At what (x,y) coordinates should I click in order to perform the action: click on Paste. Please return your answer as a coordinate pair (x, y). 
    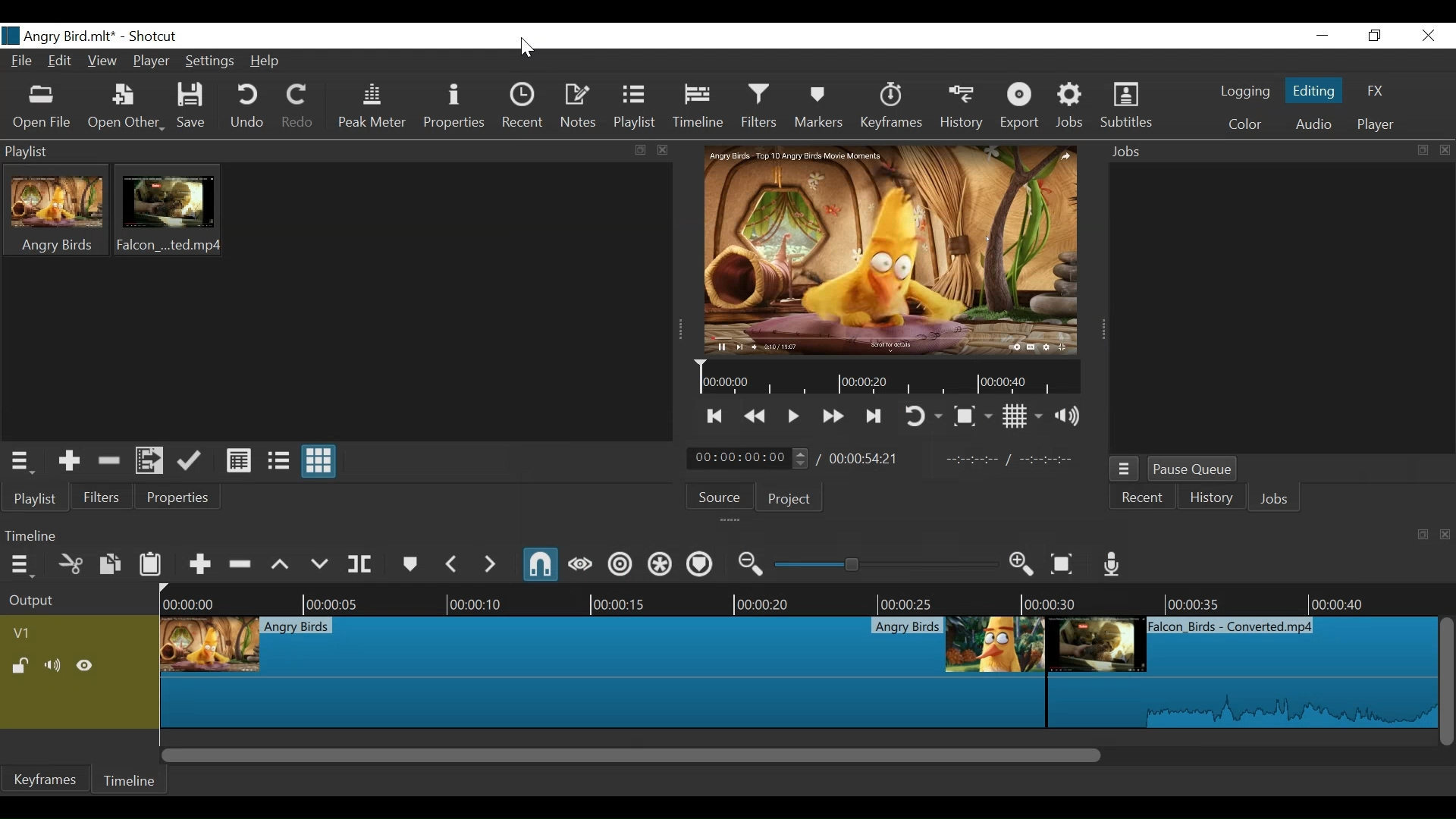
    Looking at the image, I should click on (151, 566).